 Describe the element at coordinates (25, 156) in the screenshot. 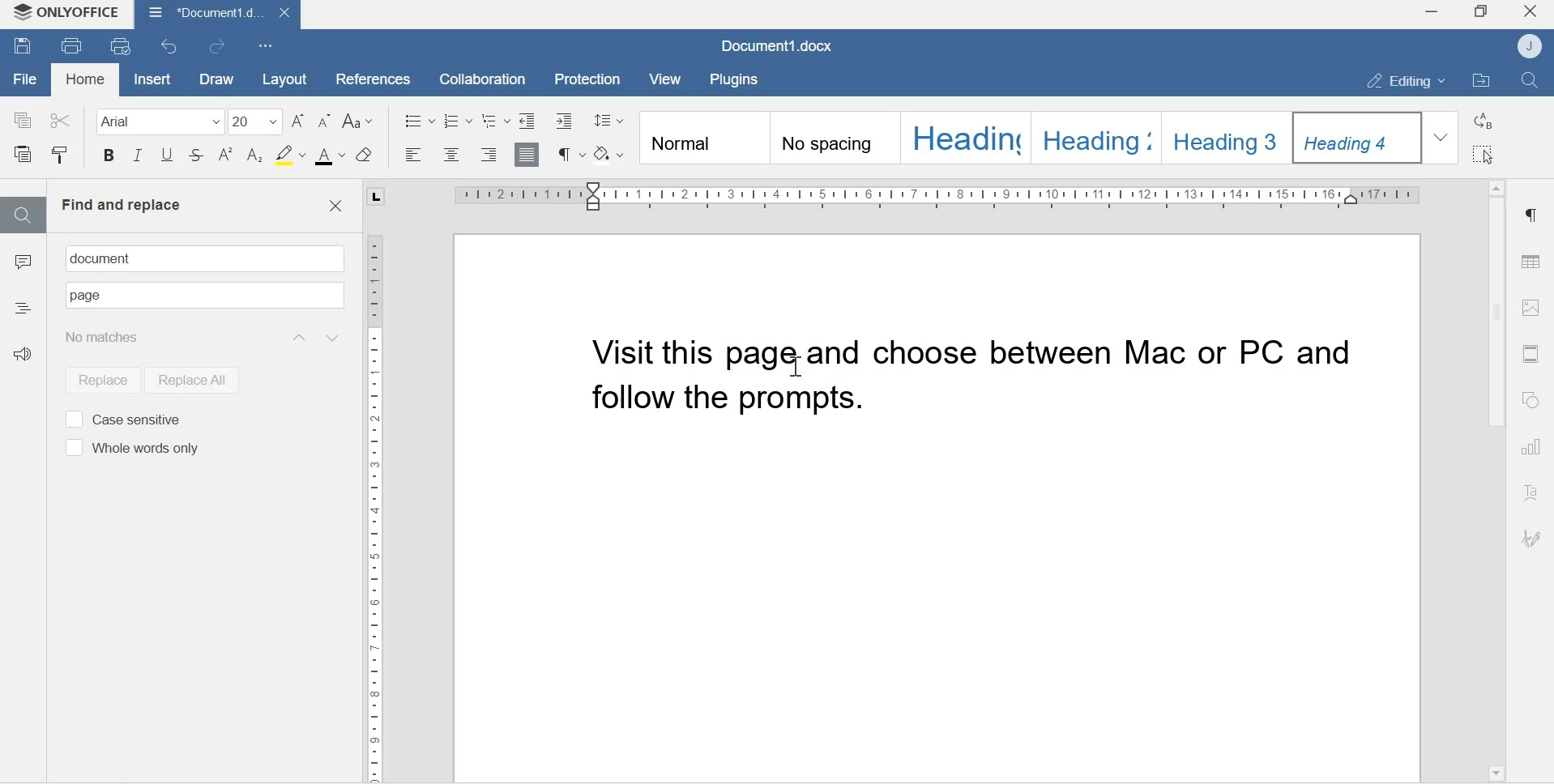

I see `Paste` at that location.